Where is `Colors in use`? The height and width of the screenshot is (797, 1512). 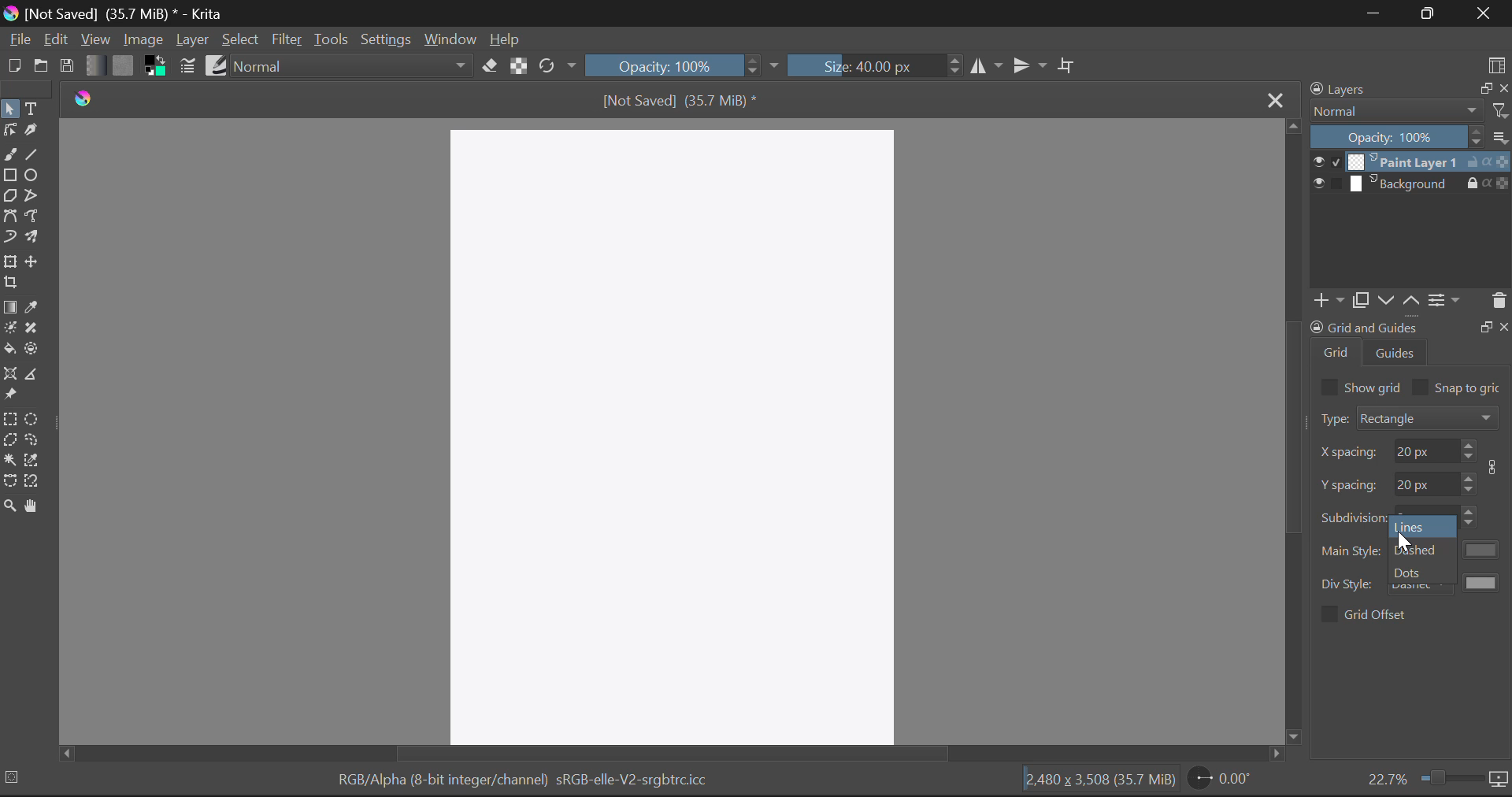 Colors in use is located at coordinates (156, 66).